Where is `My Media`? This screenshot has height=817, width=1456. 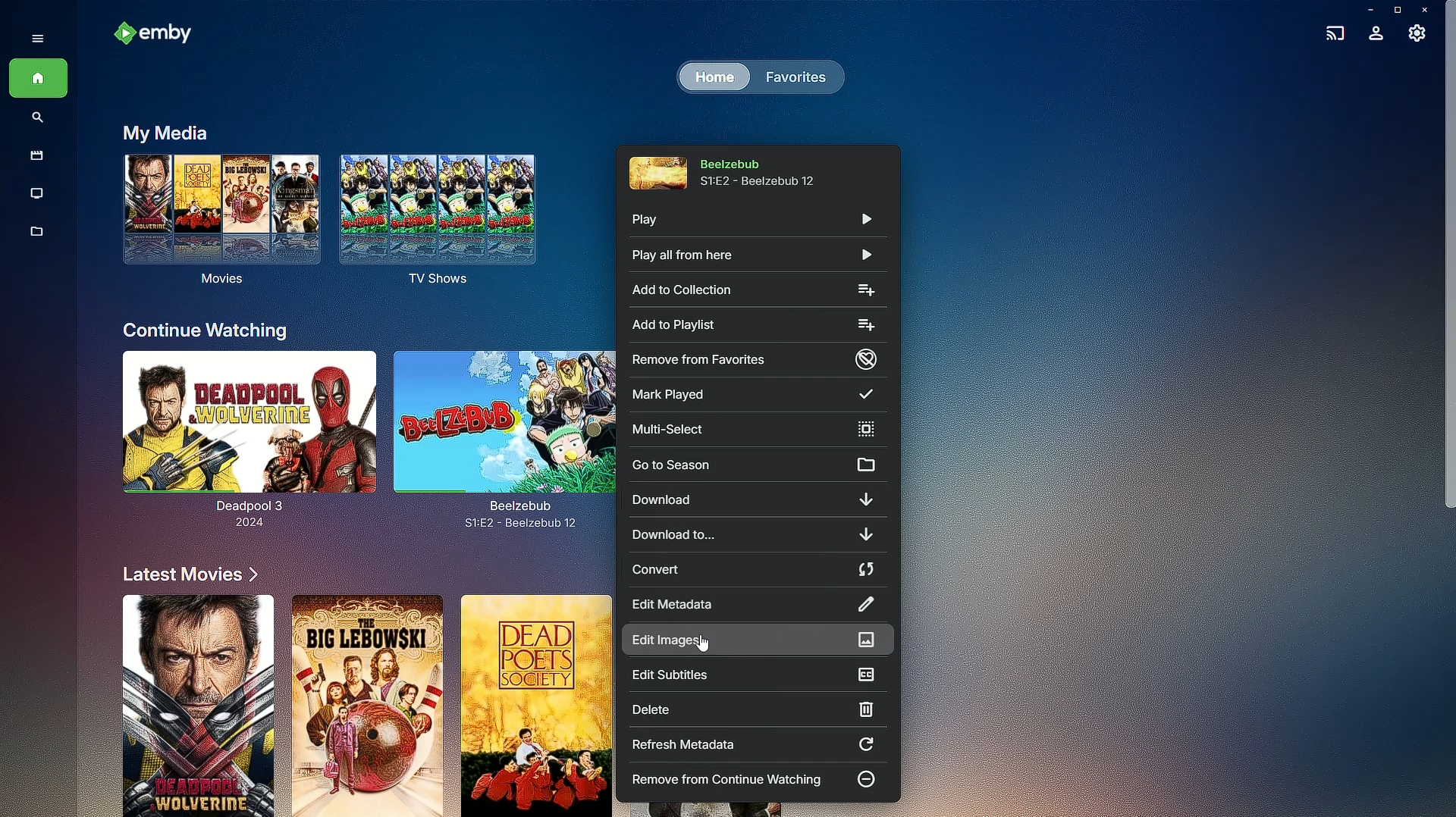 My Media is located at coordinates (162, 132).